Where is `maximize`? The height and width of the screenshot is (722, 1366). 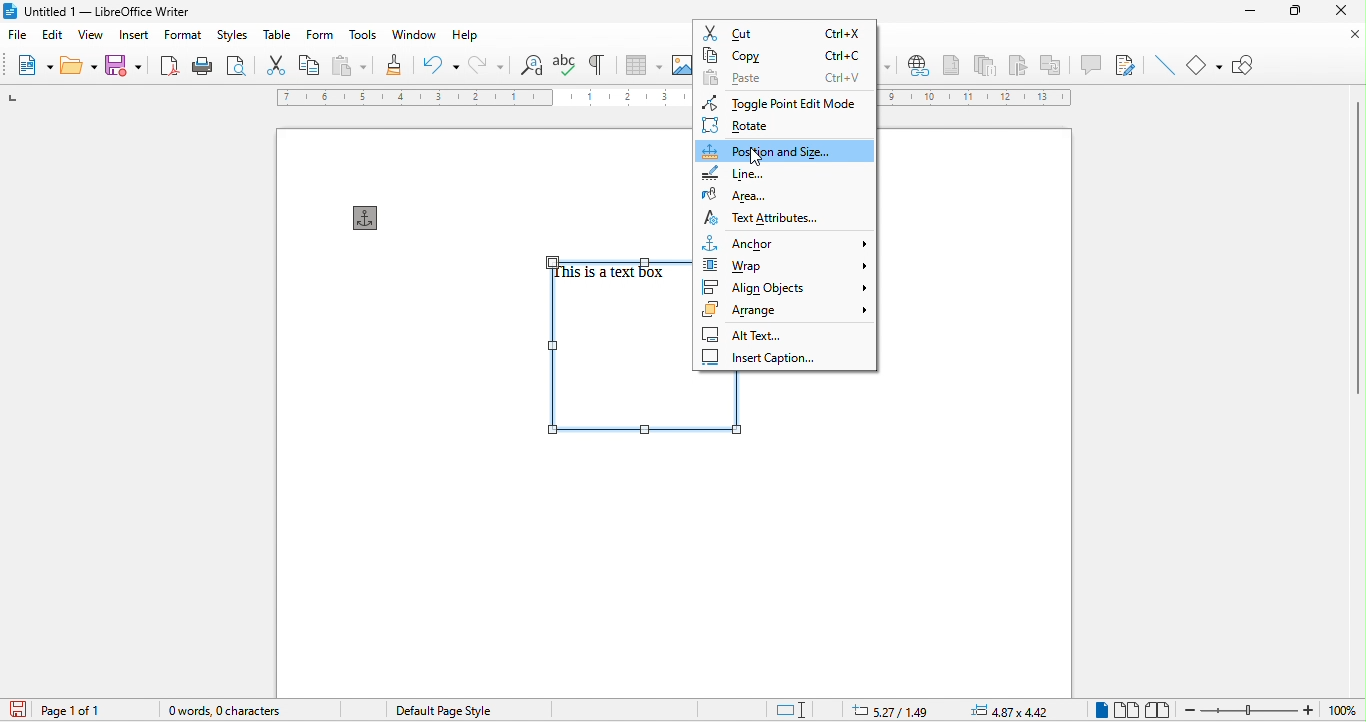
maximize is located at coordinates (1295, 10).